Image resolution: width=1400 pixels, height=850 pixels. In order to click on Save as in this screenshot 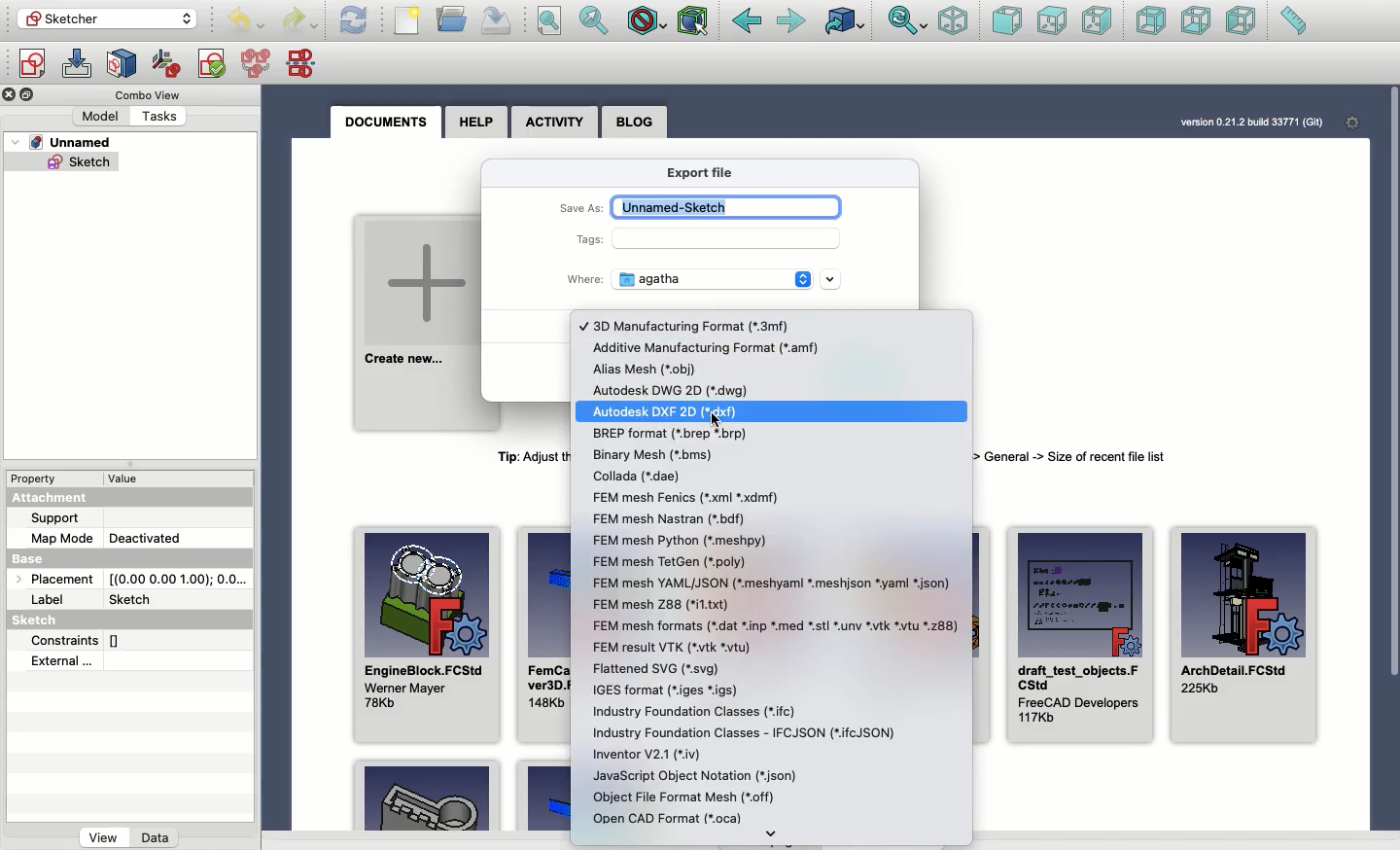, I will do `click(581, 210)`.